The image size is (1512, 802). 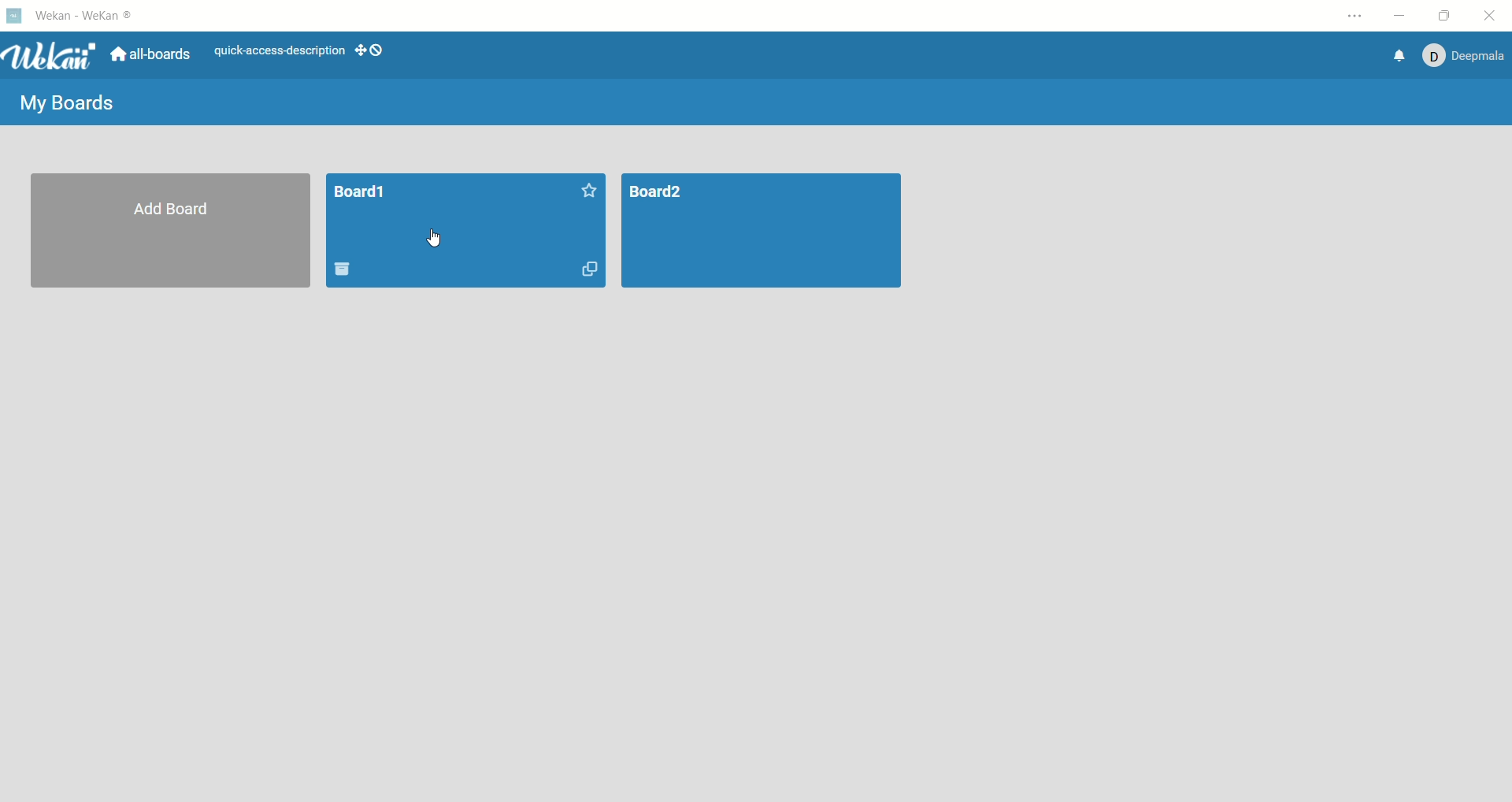 I want to click on account, so click(x=1465, y=56).